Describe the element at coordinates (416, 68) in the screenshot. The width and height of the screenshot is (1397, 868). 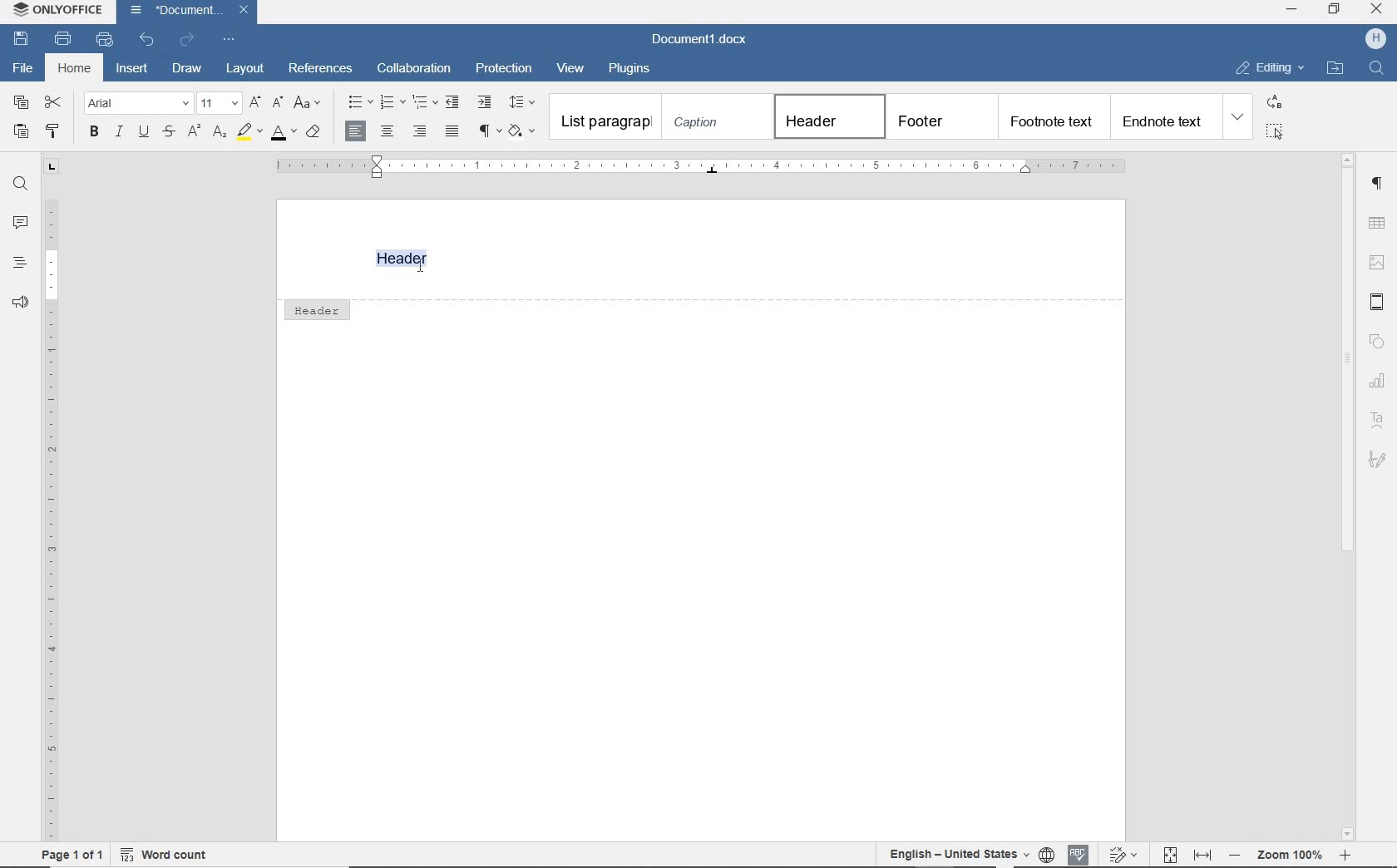
I see `collaboration` at that location.